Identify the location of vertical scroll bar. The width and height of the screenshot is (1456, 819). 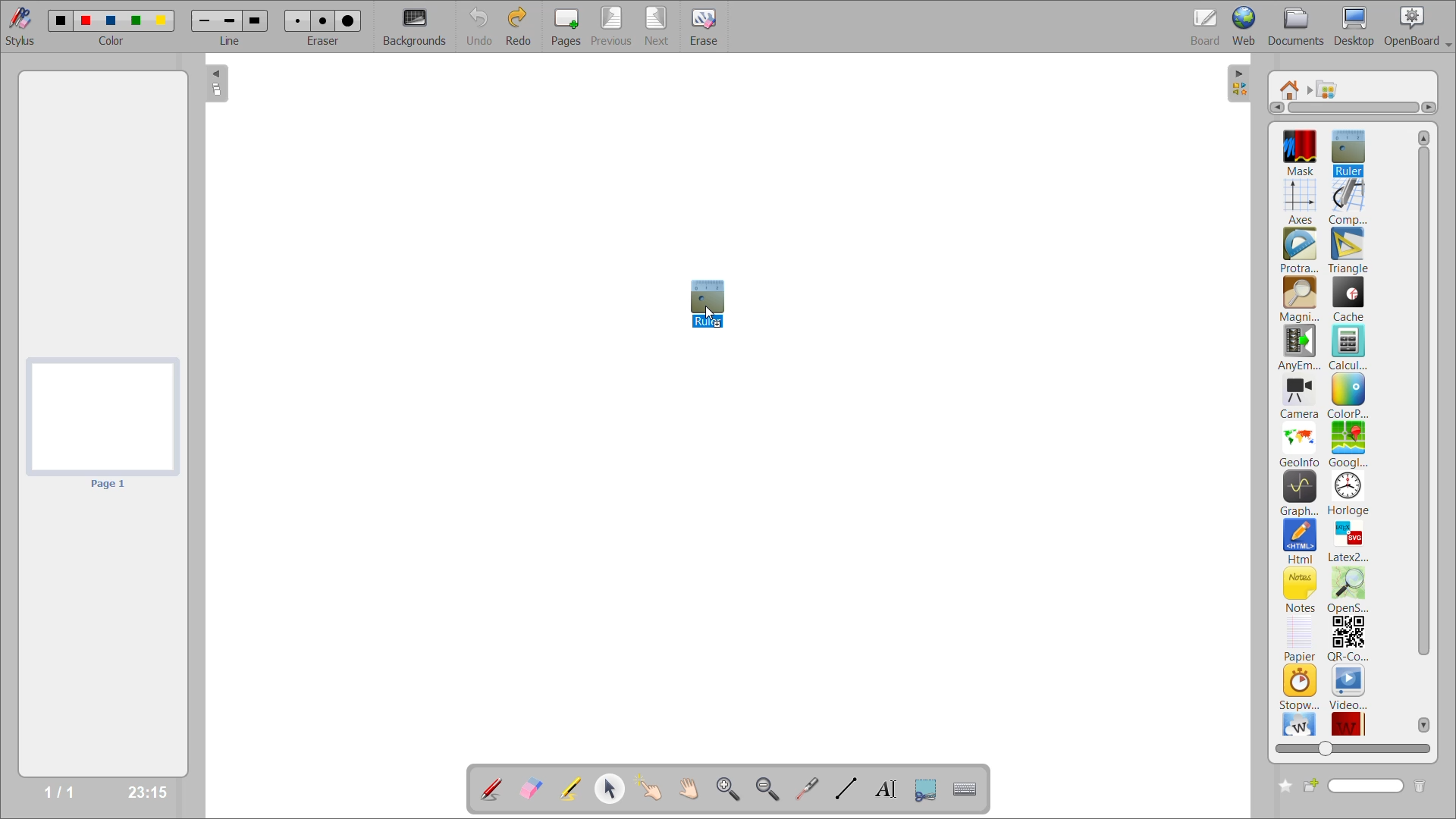
(1424, 430).